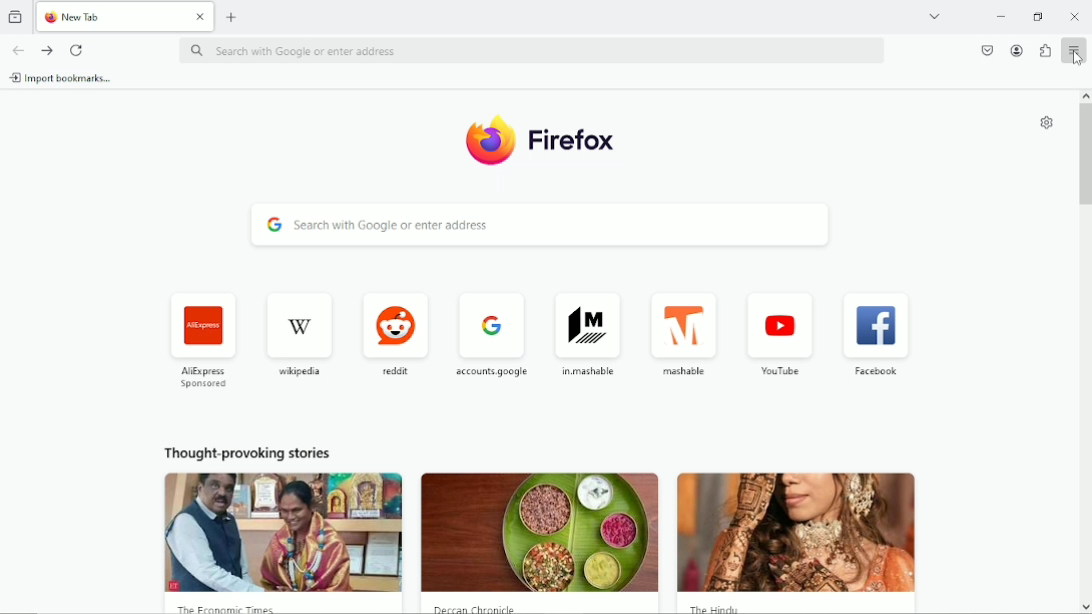 The height and width of the screenshot is (614, 1092). Describe the element at coordinates (78, 51) in the screenshot. I see `reload current tab` at that location.